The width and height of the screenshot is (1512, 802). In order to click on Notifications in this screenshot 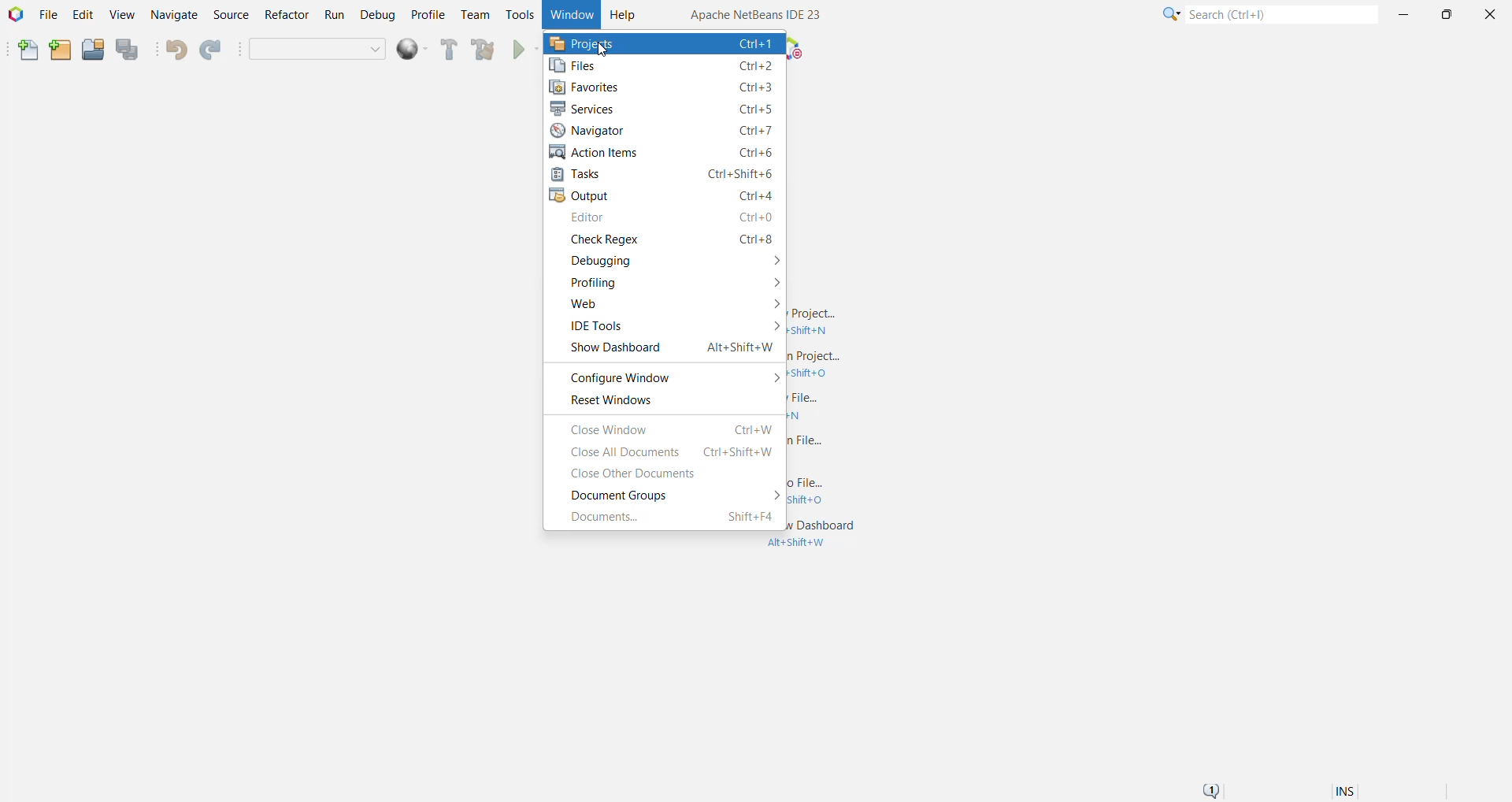, I will do `click(1214, 788)`.